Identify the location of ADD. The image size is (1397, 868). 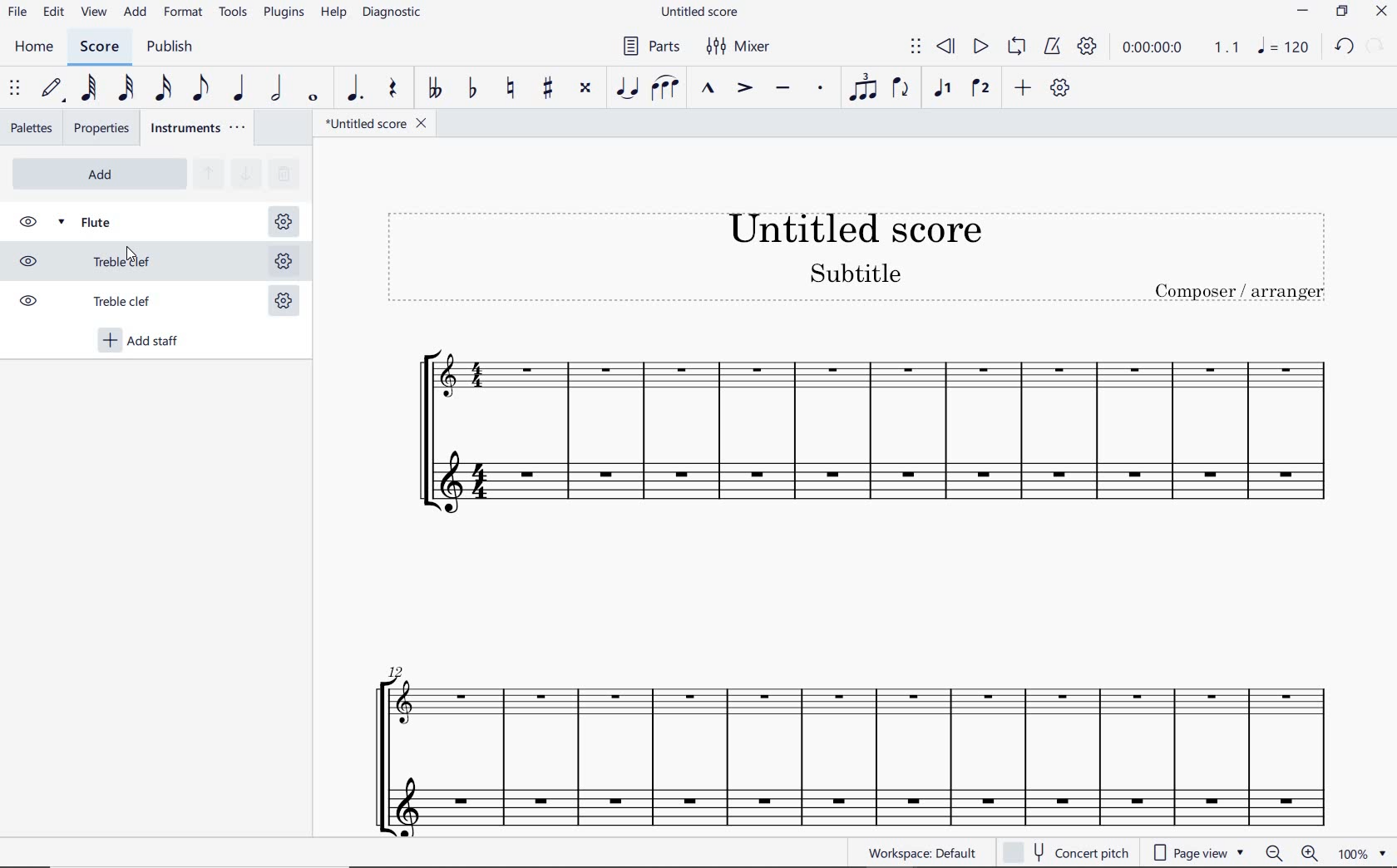
(97, 174).